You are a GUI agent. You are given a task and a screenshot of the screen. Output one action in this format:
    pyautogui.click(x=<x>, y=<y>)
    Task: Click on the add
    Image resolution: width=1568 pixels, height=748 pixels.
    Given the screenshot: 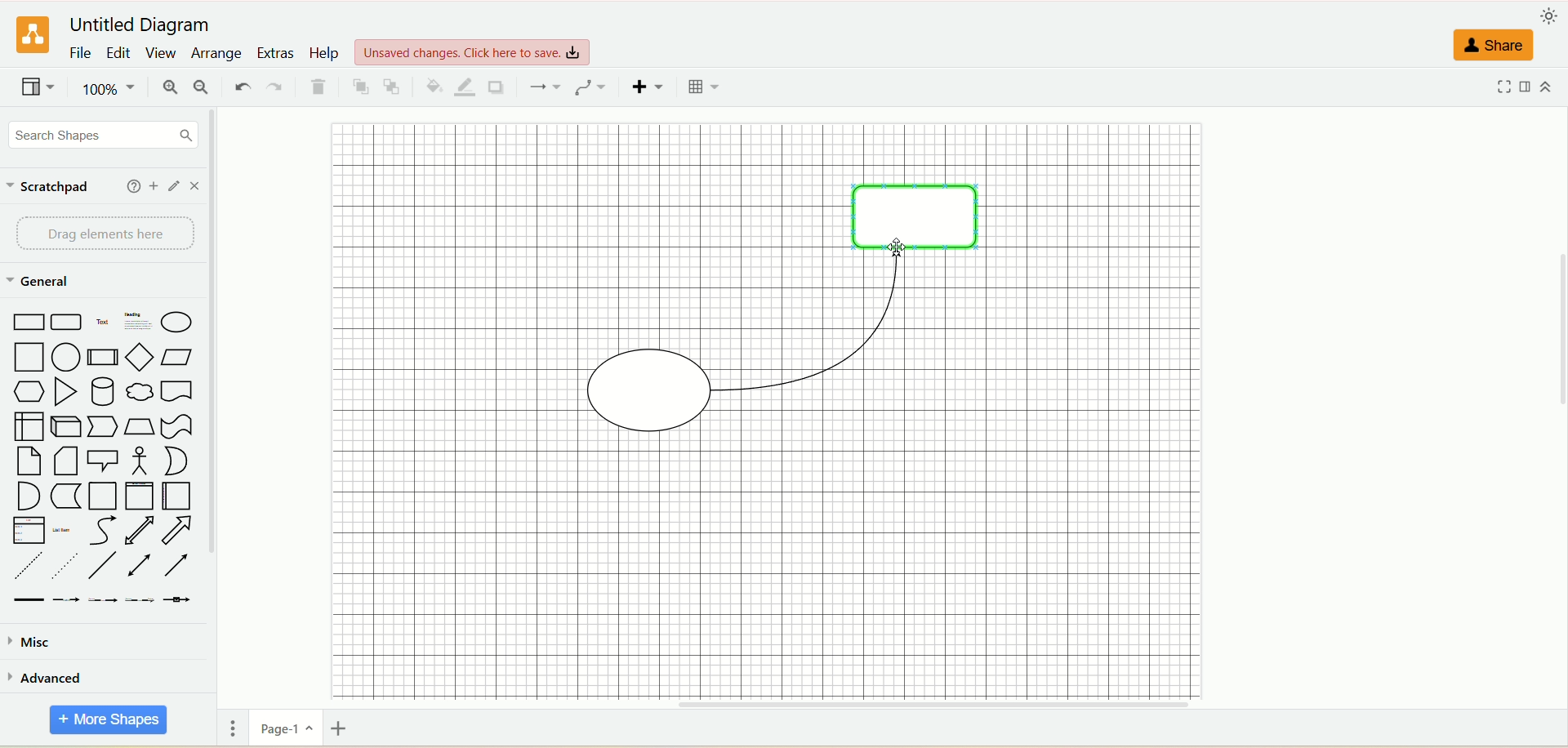 What is the action you would take?
    pyautogui.click(x=154, y=188)
    